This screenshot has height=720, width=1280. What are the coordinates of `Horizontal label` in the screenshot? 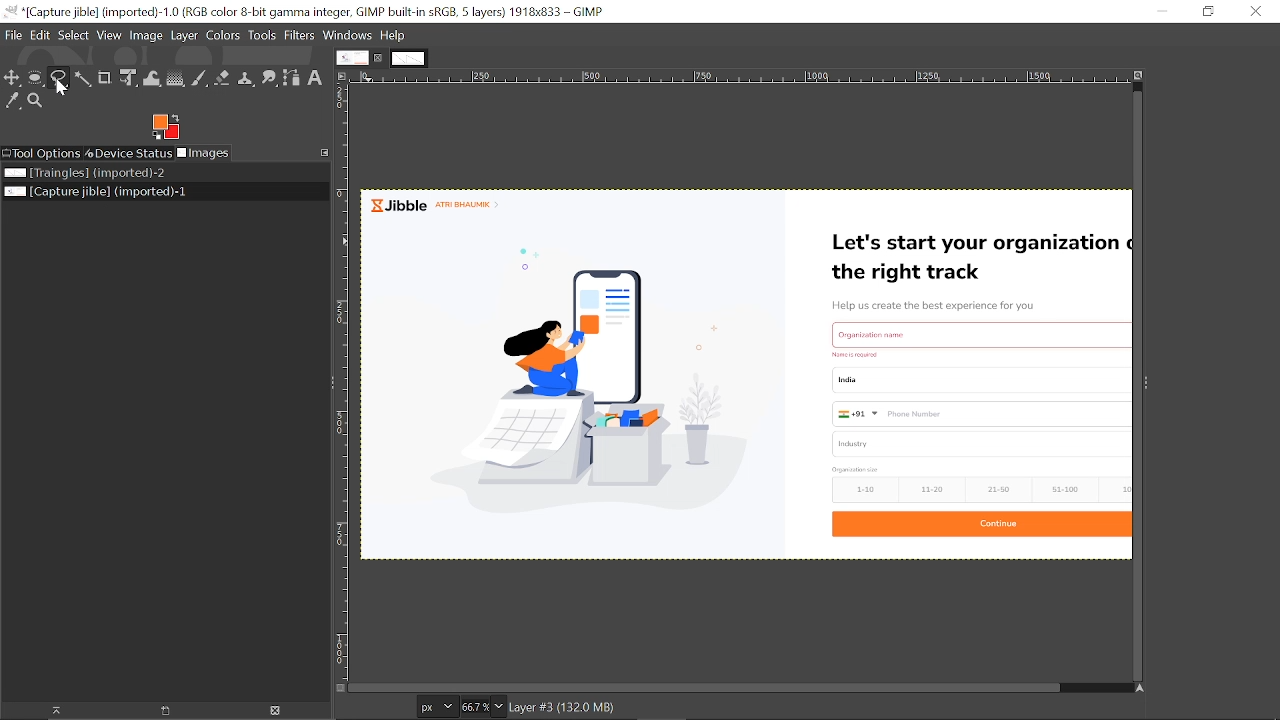 It's located at (742, 78).